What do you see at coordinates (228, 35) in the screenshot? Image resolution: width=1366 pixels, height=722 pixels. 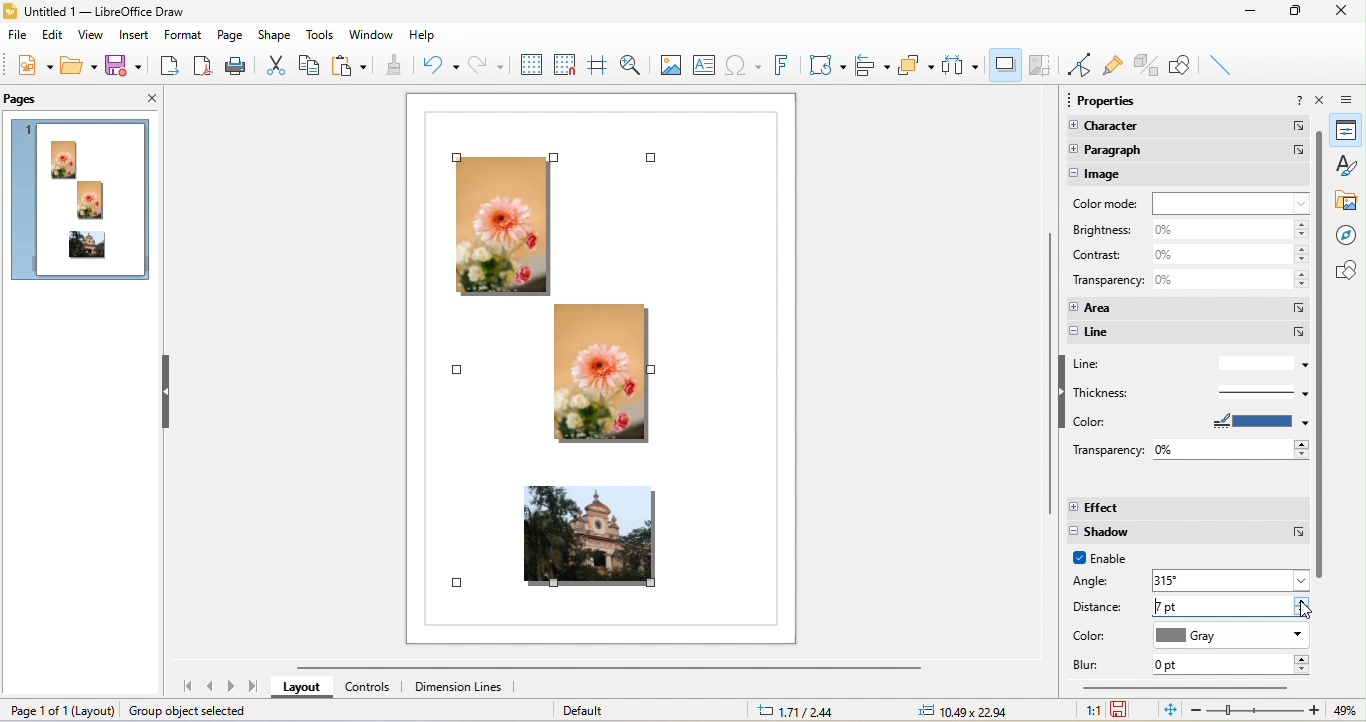 I see `page` at bounding box center [228, 35].